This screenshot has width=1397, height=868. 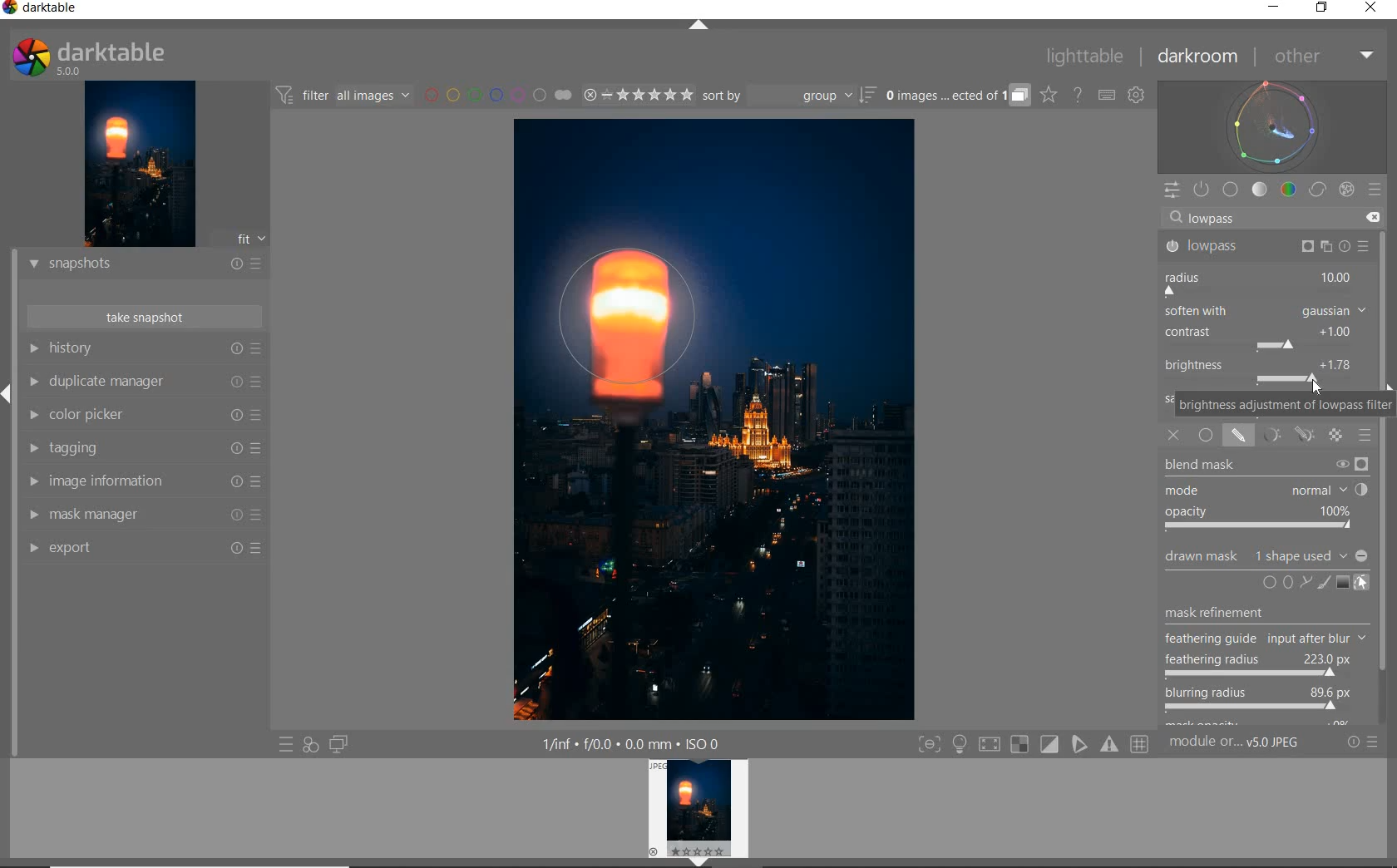 I want to click on PRESETS, so click(x=1376, y=191).